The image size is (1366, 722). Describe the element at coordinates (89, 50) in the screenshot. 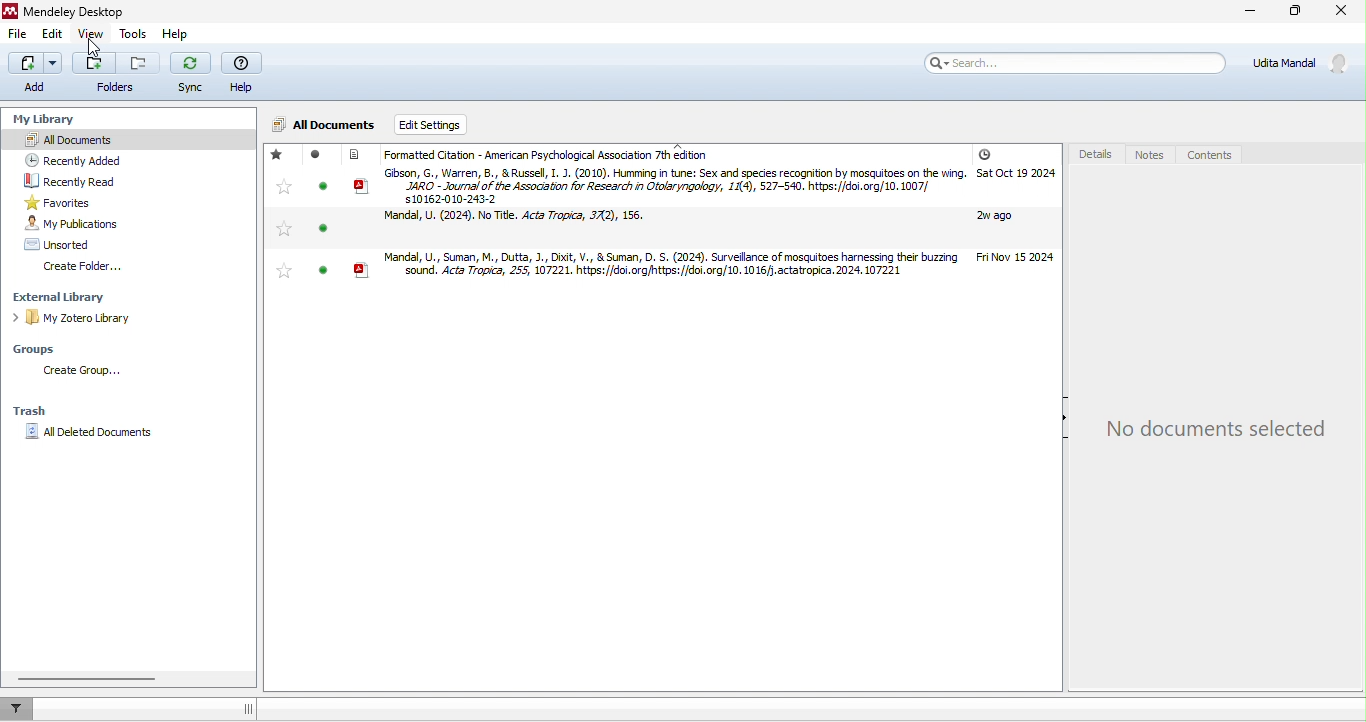

I see `cursor movement` at that location.